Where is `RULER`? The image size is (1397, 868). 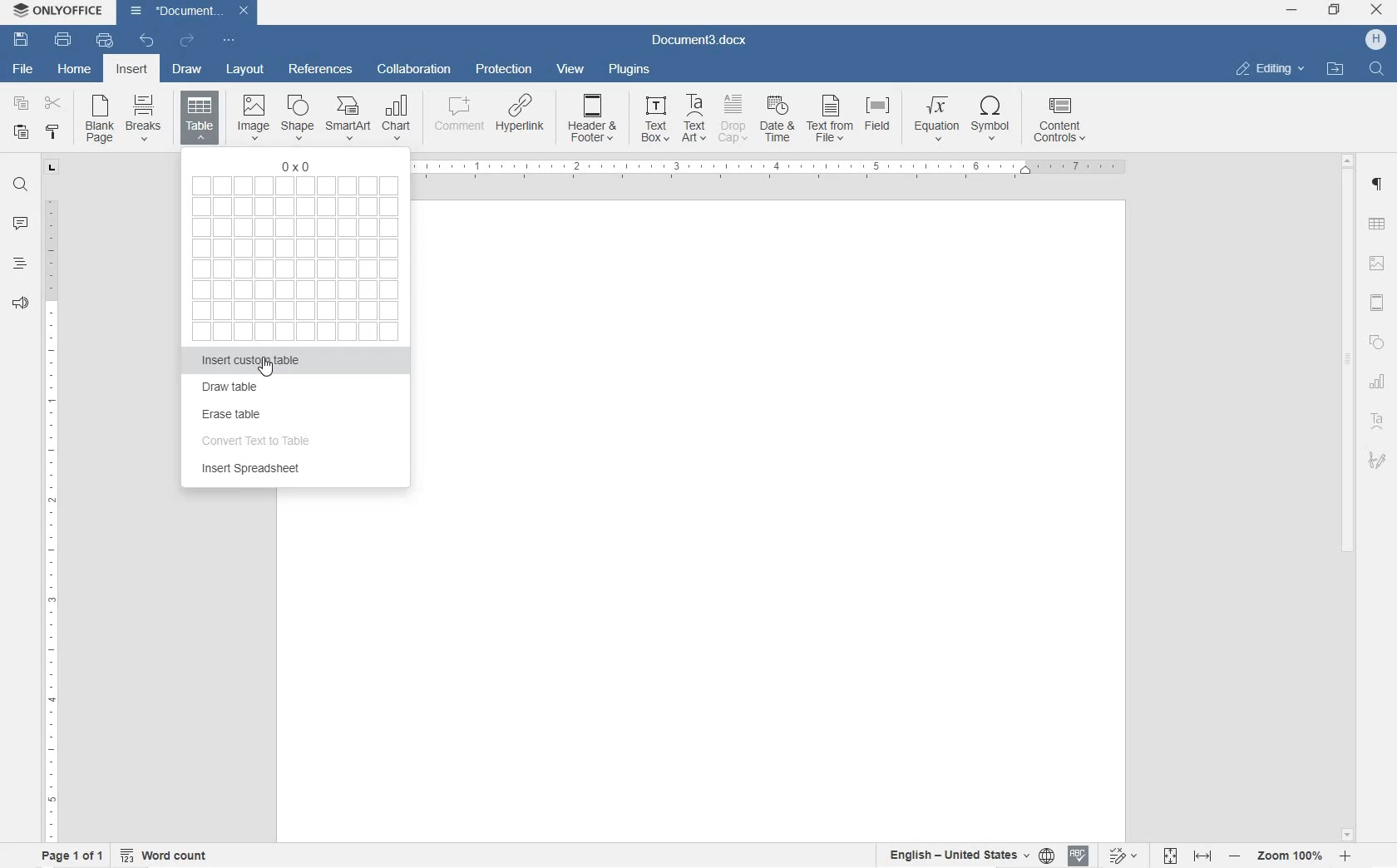
RULER is located at coordinates (49, 516).